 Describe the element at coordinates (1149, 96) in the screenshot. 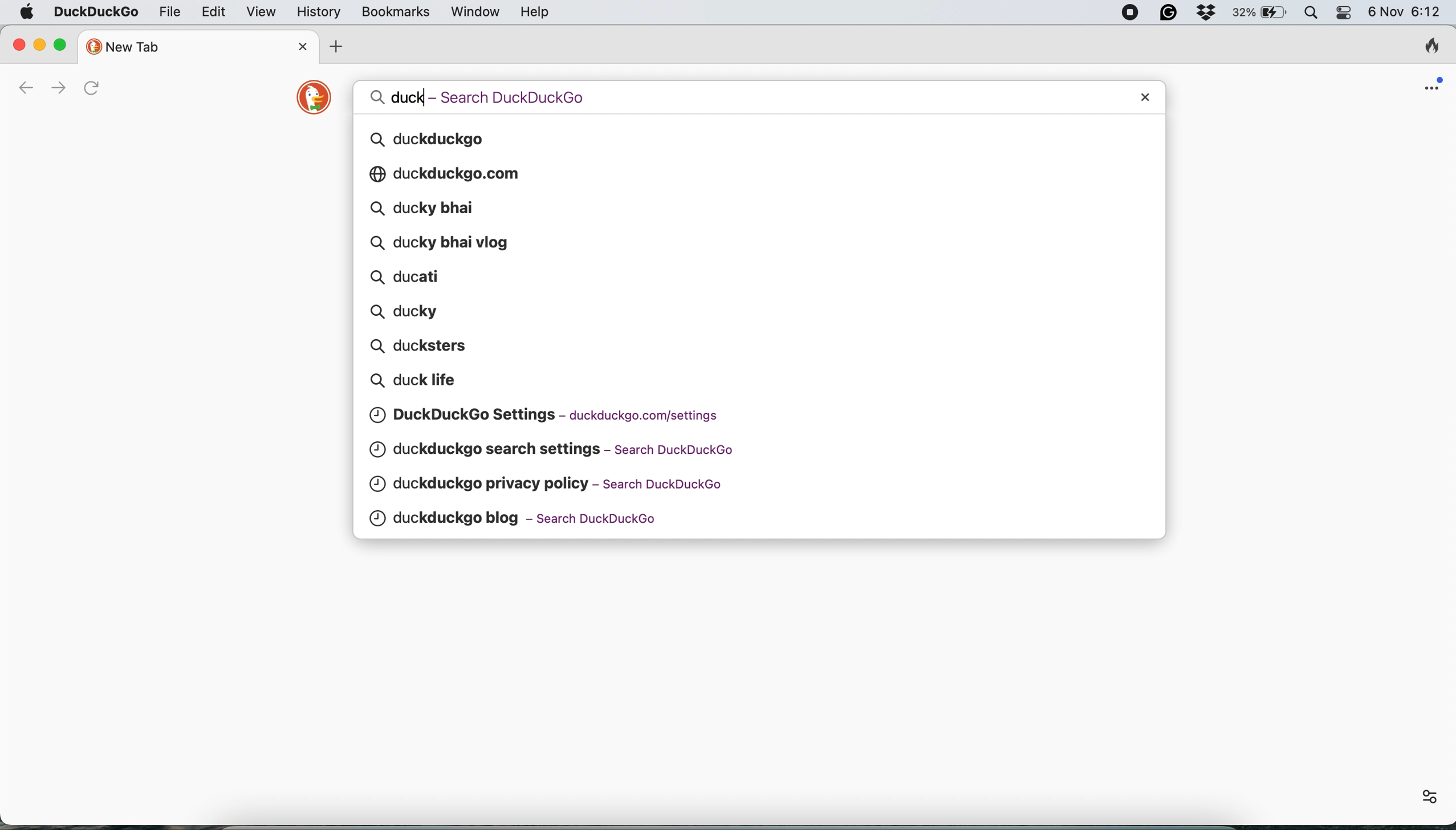

I see `close` at that location.